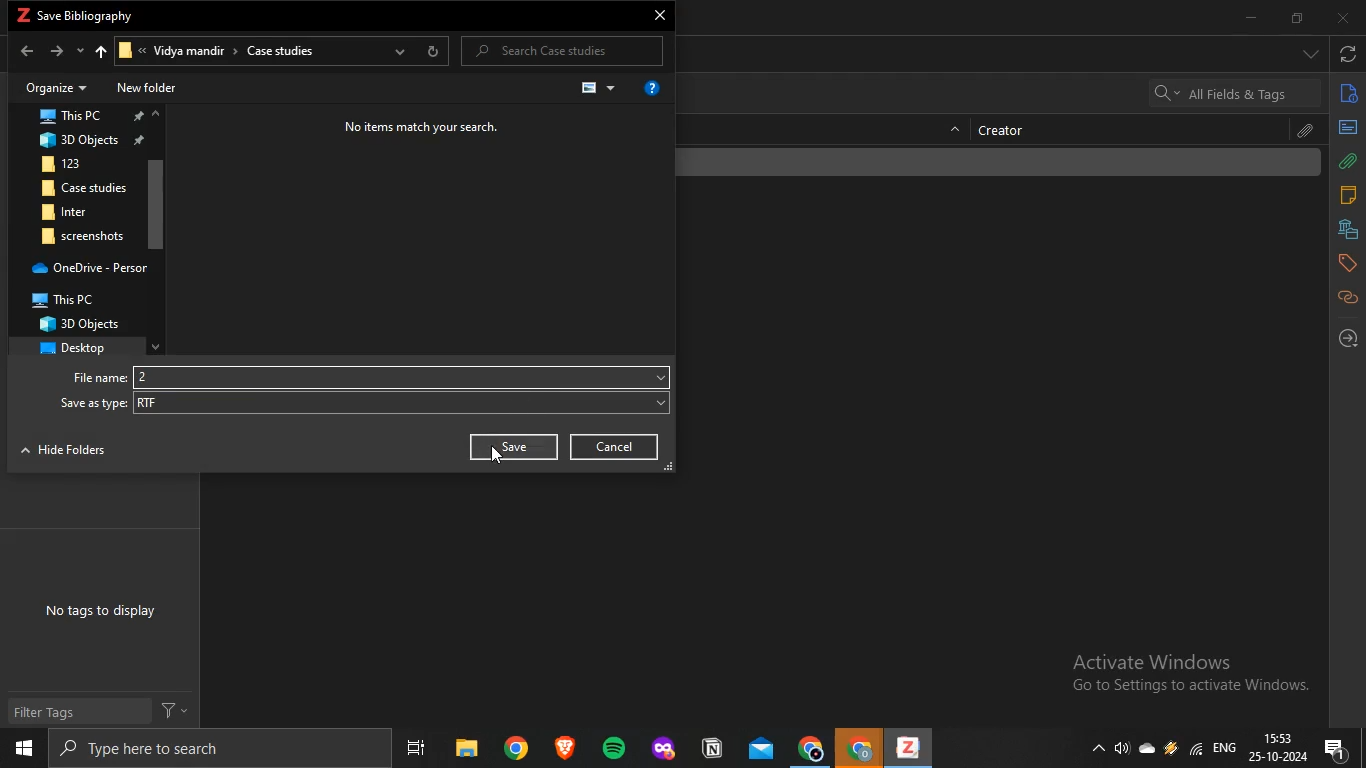 This screenshot has height=768, width=1366. What do you see at coordinates (78, 712) in the screenshot?
I see `Filter Tags` at bounding box center [78, 712].